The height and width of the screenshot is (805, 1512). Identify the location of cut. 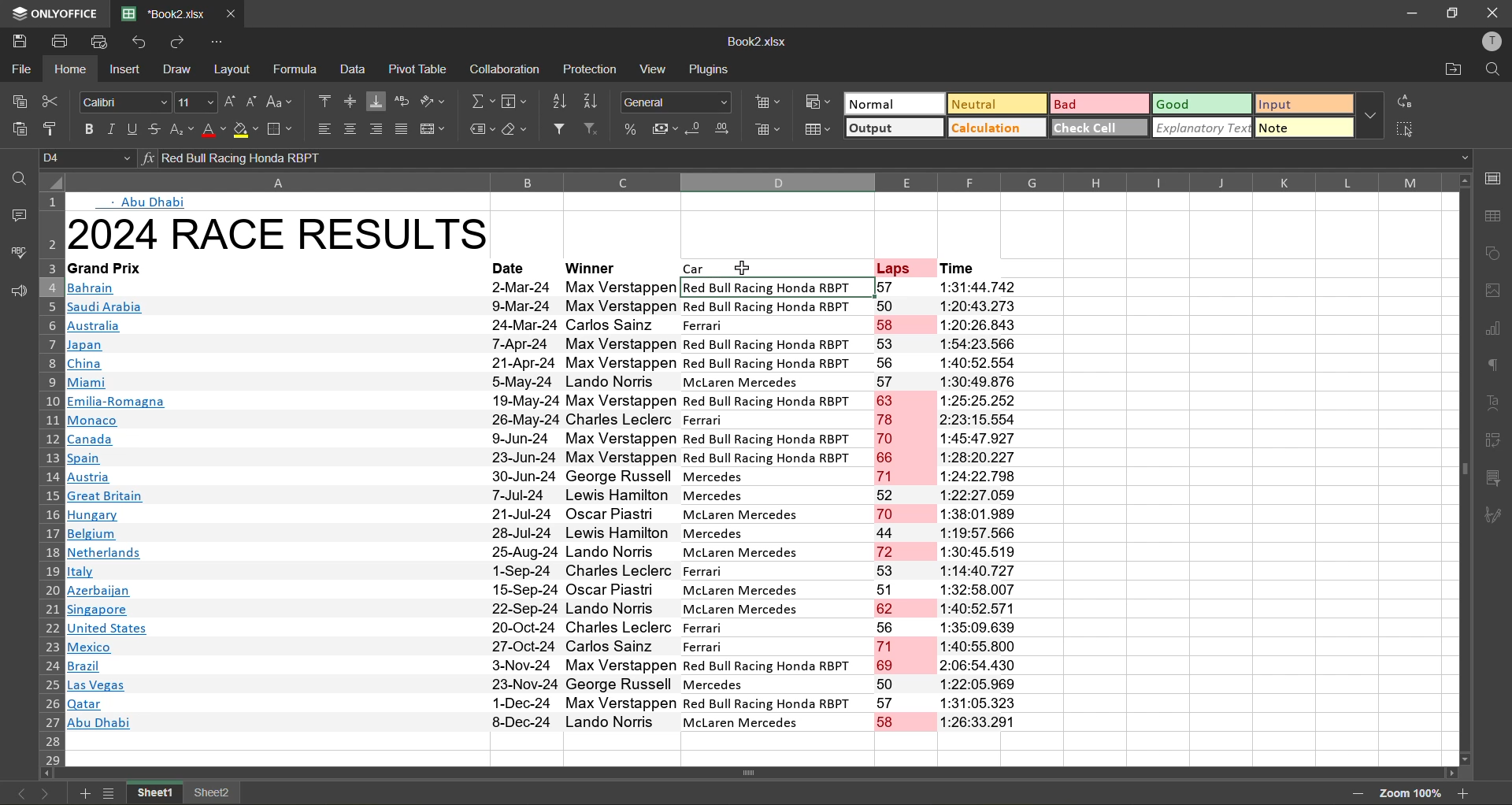
(50, 103).